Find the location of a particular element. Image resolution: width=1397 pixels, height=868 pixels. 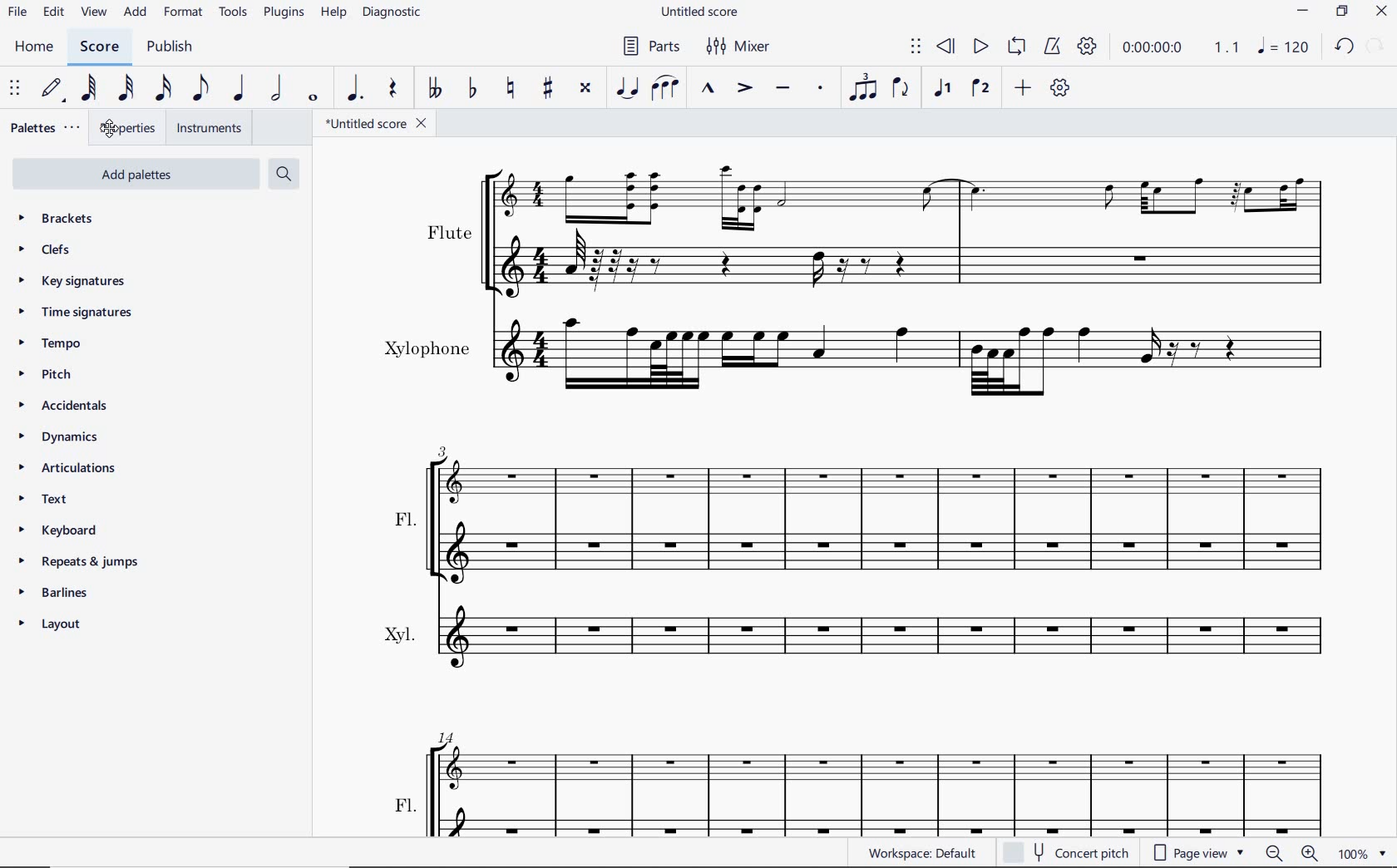

MARCATO is located at coordinates (708, 89).